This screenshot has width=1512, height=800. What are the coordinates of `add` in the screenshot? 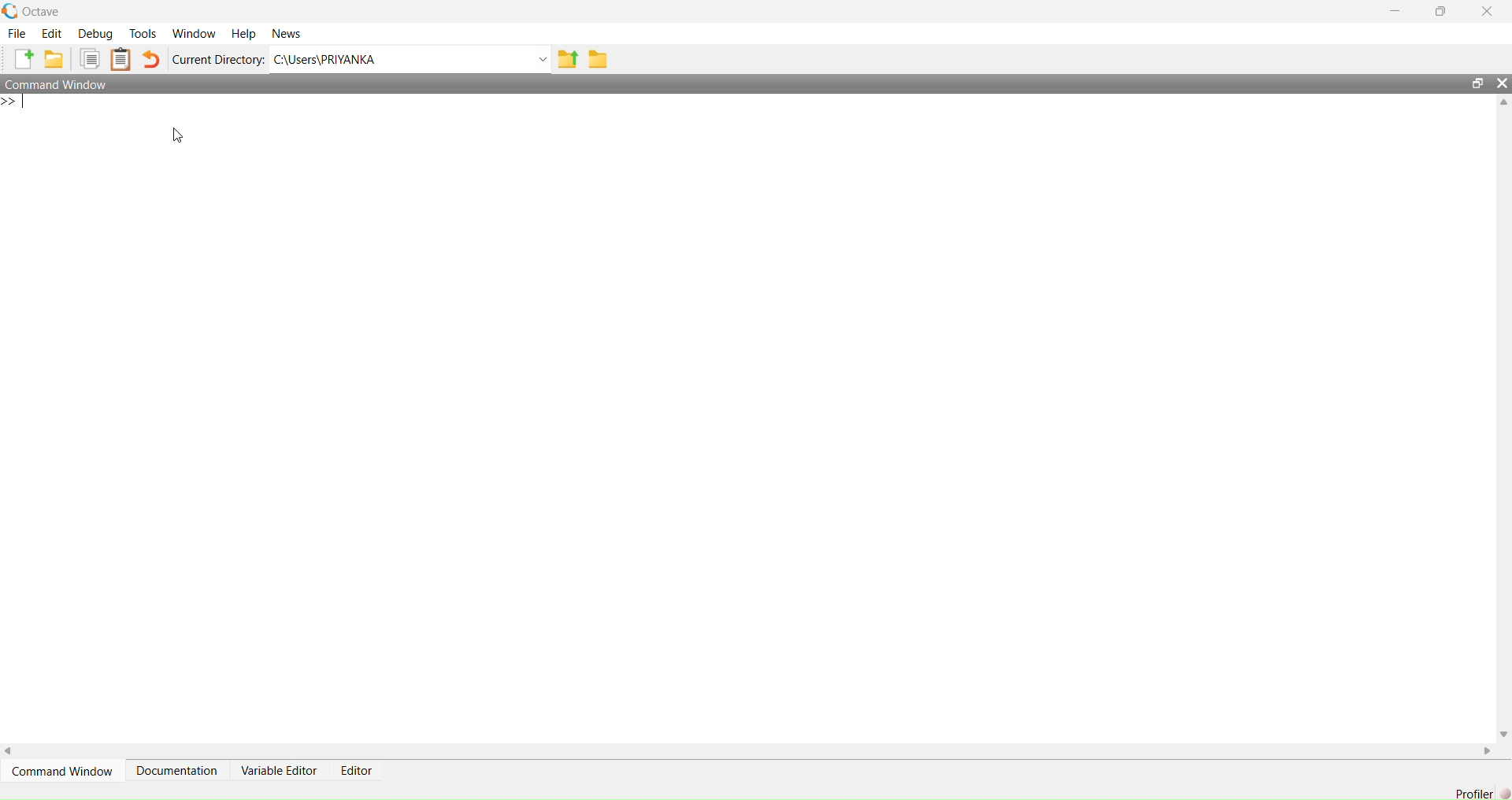 It's located at (18, 60).